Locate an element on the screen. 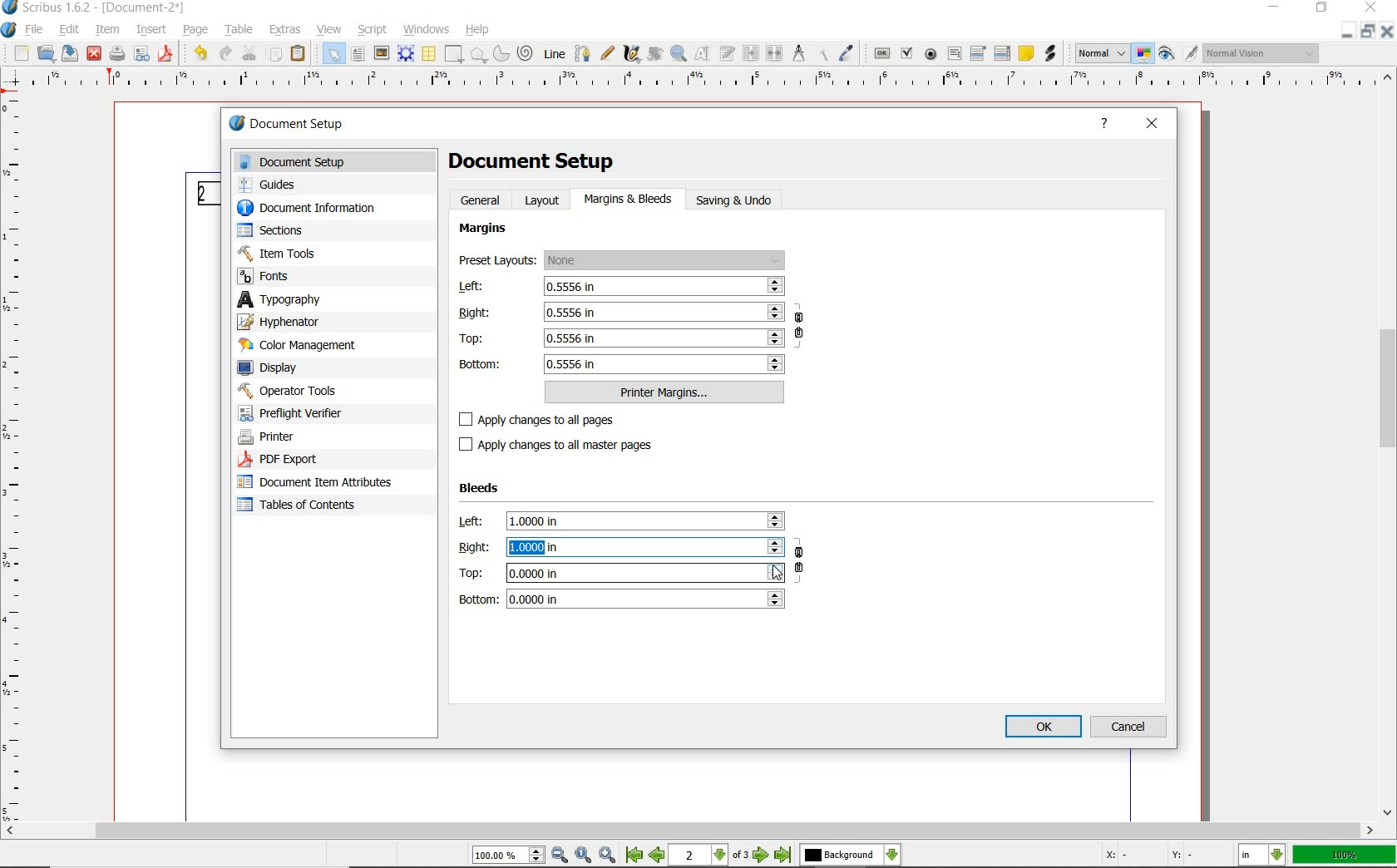  preflight verifier is located at coordinates (143, 54).